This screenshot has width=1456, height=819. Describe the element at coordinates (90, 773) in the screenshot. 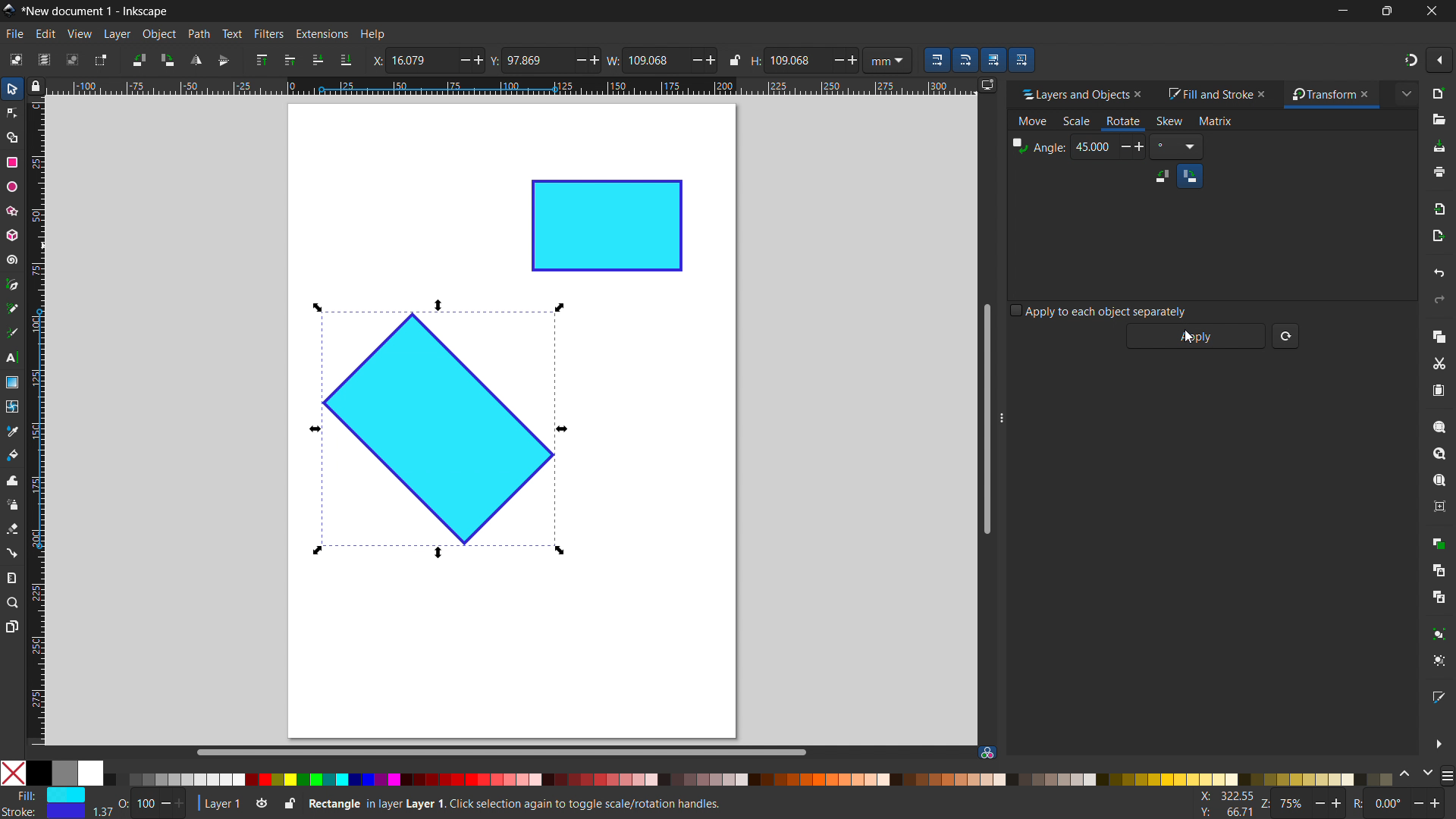

I see `White` at that location.